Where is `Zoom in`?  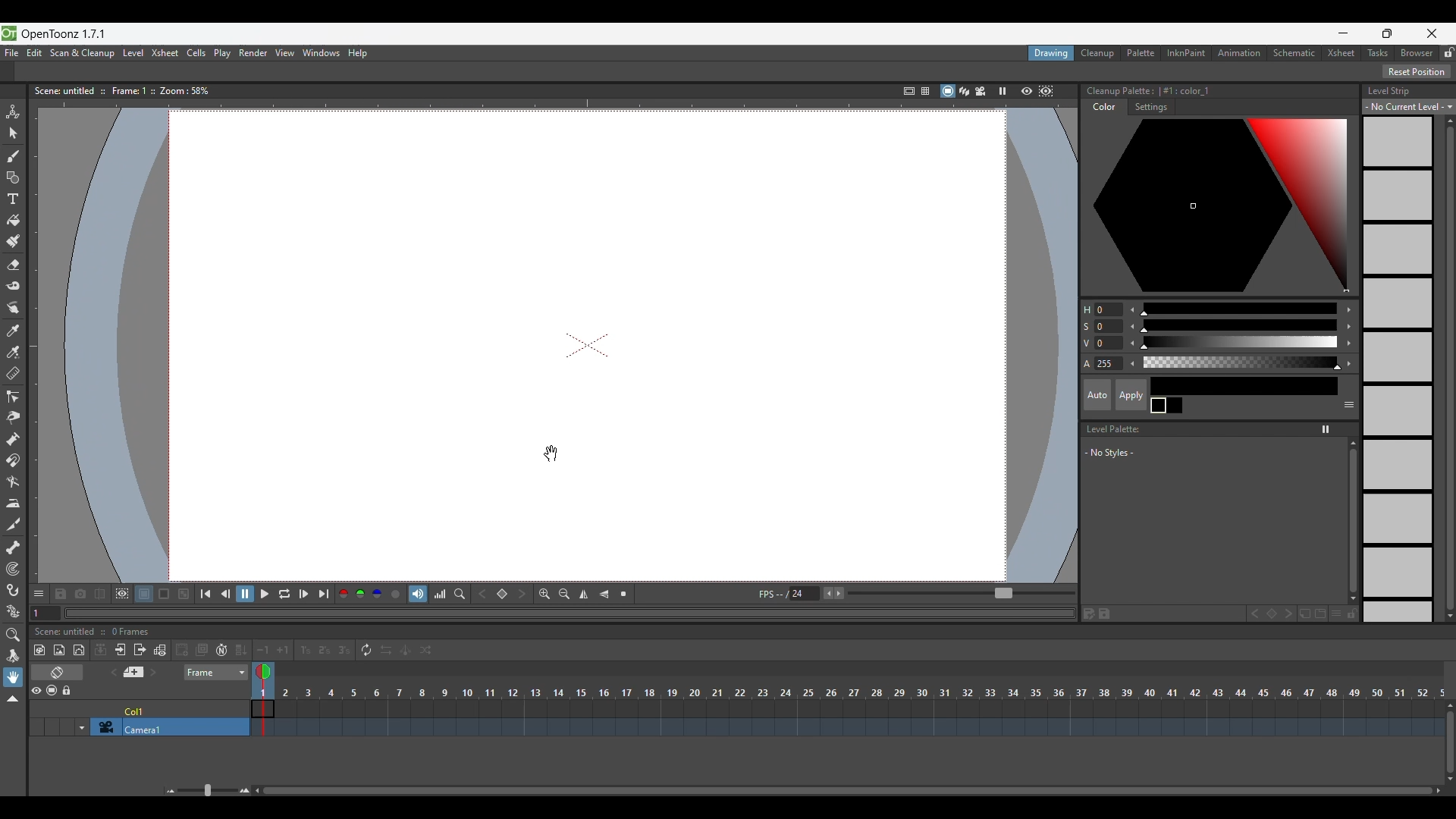
Zoom in is located at coordinates (245, 790).